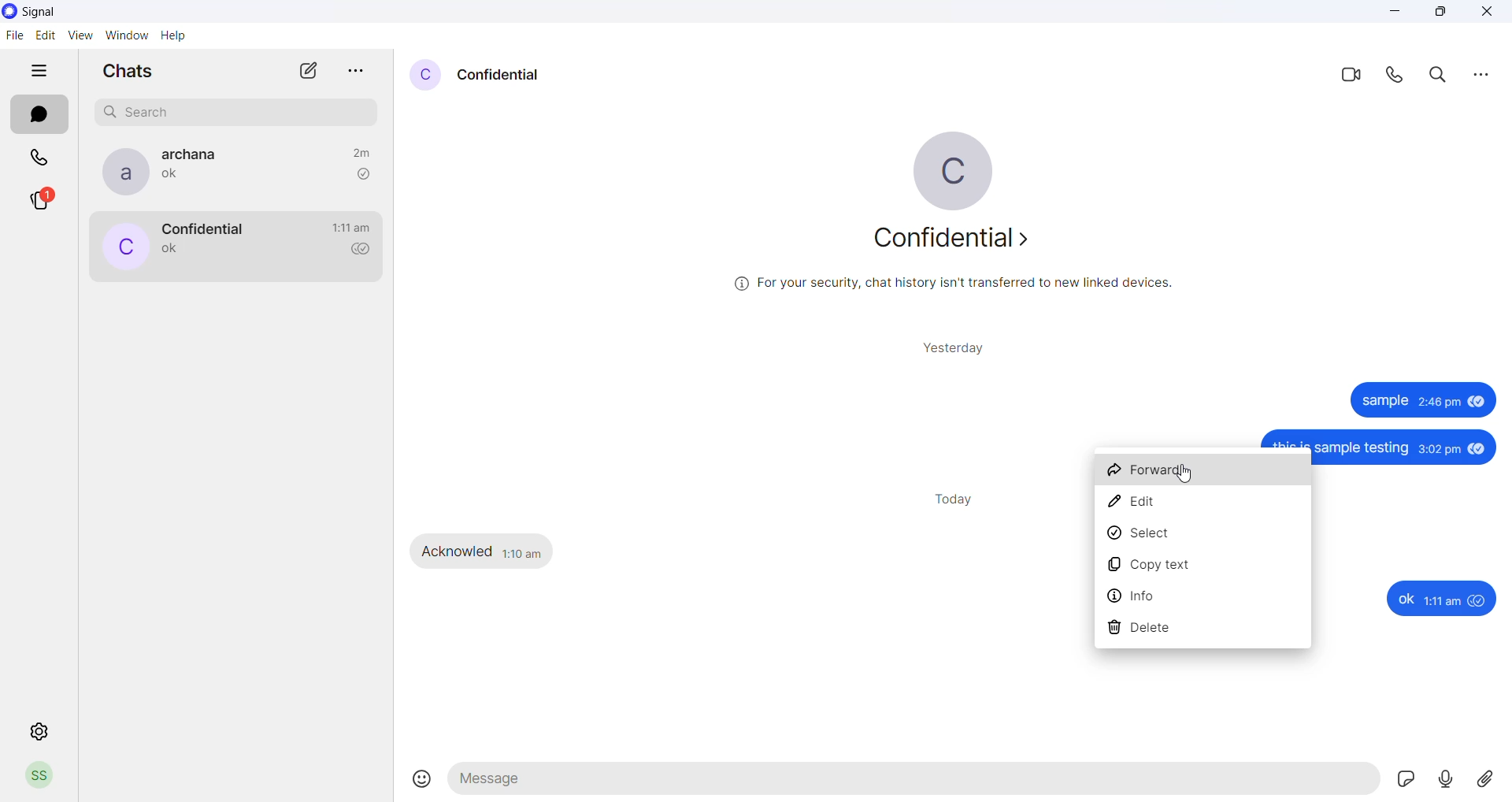 The width and height of the screenshot is (1512, 802). I want to click on time passed since last message, so click(361, 150).